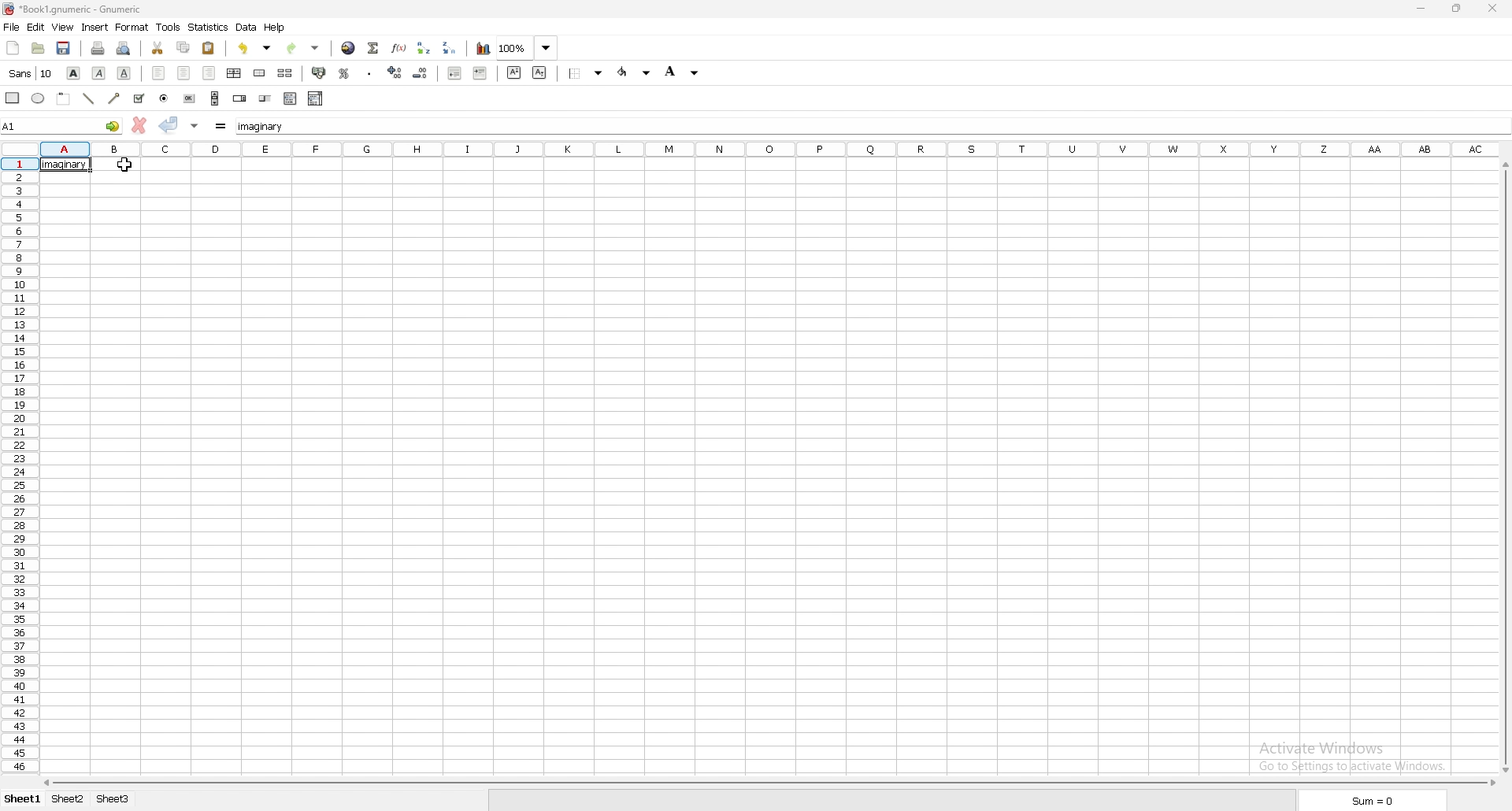 This screenshot has height=811, width=1512. What do you see at coordinates (196, 125) in the screenshot?
I see `accept changes in all cells` at bounding box center [196, 125].